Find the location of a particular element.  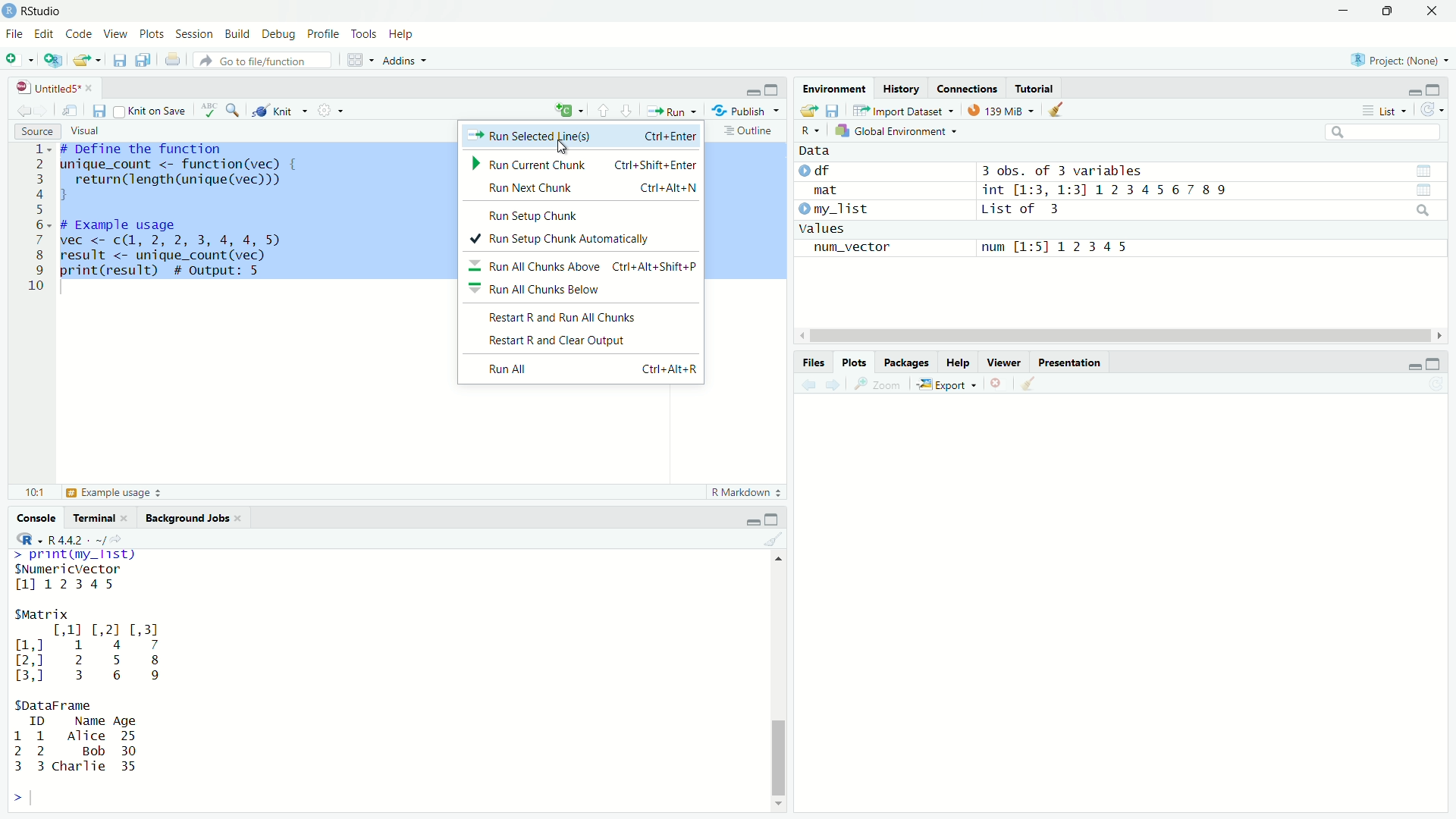

minimize is located at coordinates (750, 92).